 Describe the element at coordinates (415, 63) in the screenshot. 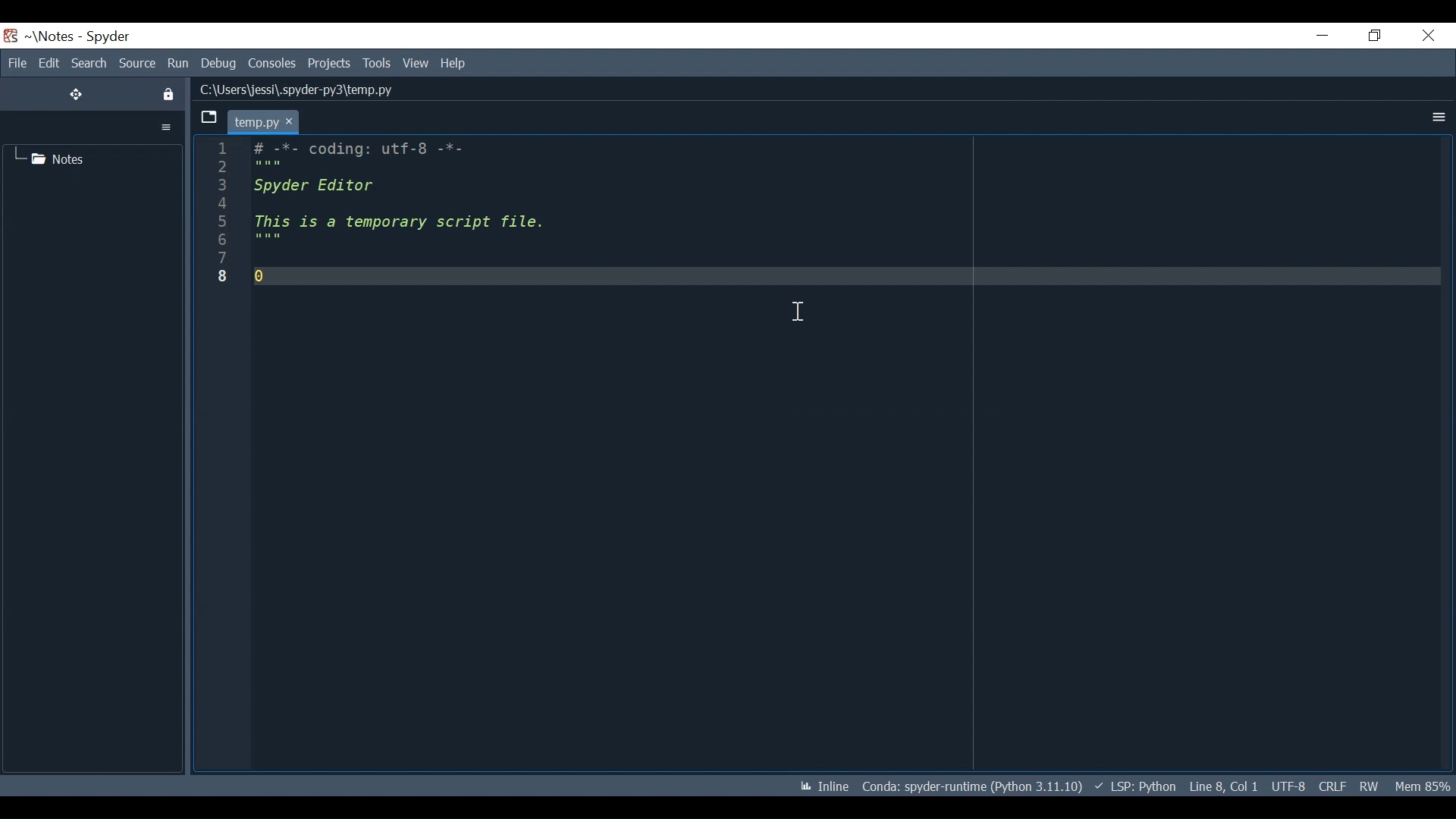

I see `View` at that location.